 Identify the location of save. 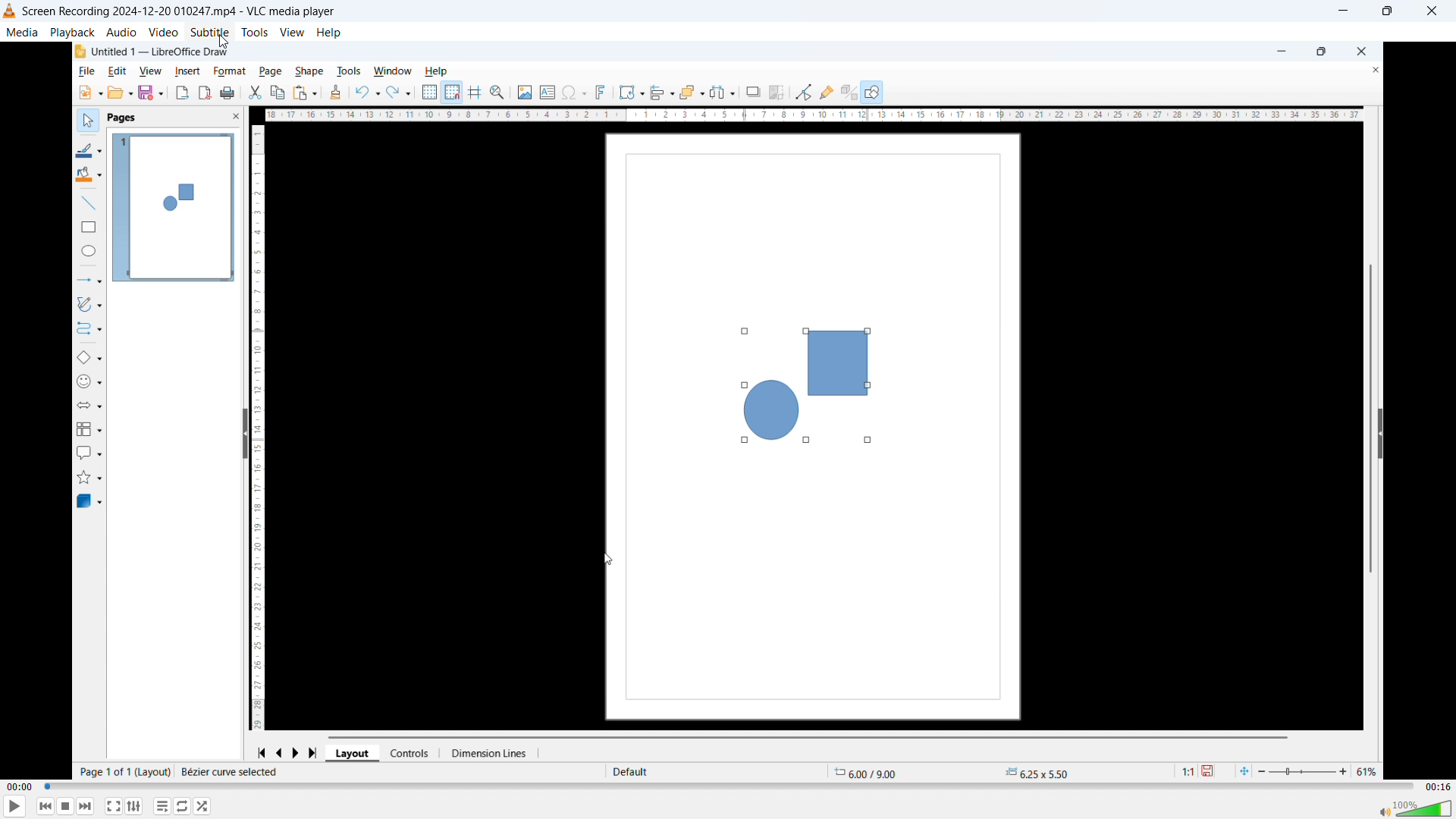
(152, 93).